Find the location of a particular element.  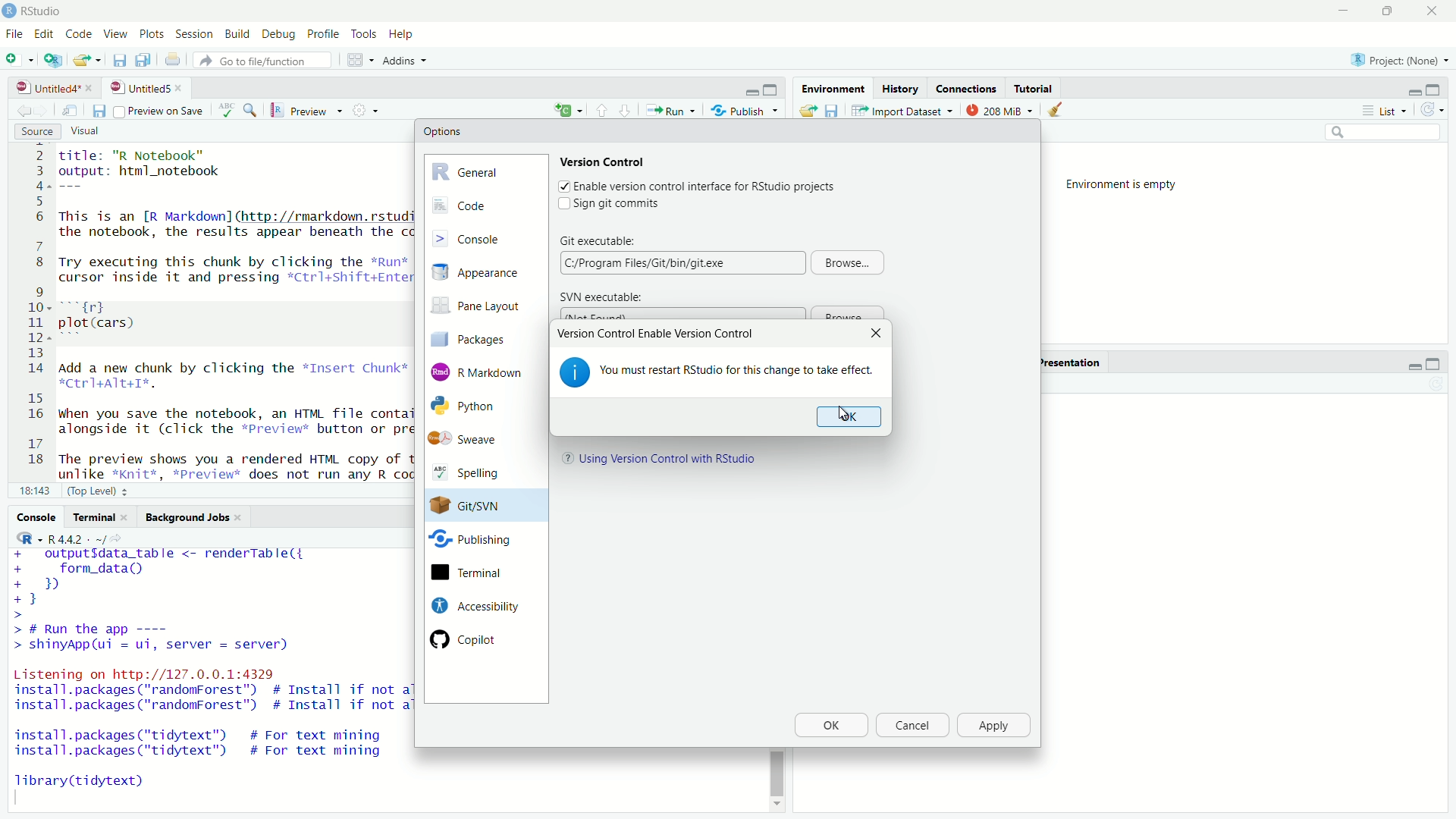

View is located at coordinates (114, 35).